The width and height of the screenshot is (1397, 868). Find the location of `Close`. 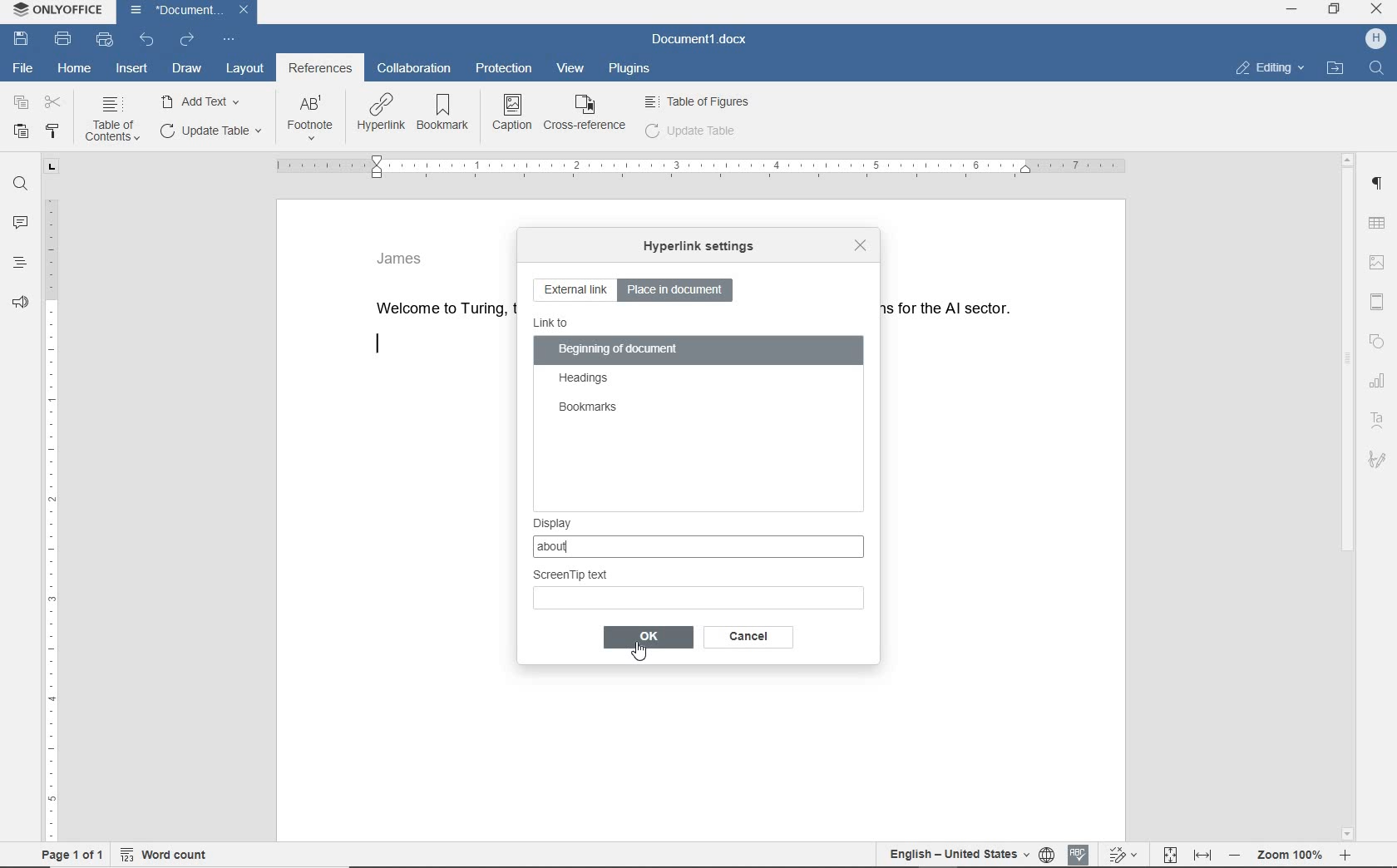

Close is located at coordinates (244, 12).